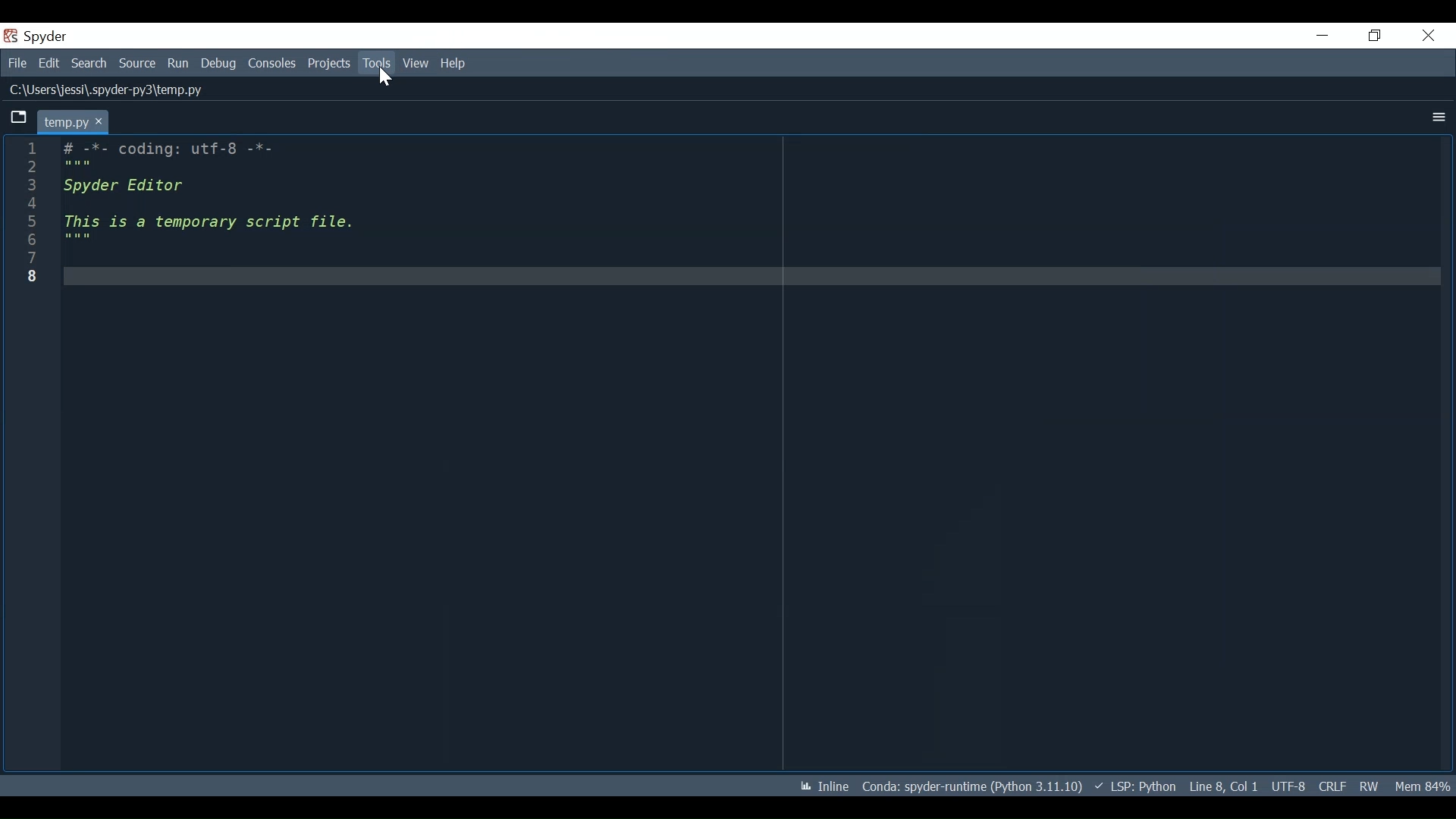 The width and height of the screenshot is (1456, 819). I want to click on More Options, so click(1439, 117).